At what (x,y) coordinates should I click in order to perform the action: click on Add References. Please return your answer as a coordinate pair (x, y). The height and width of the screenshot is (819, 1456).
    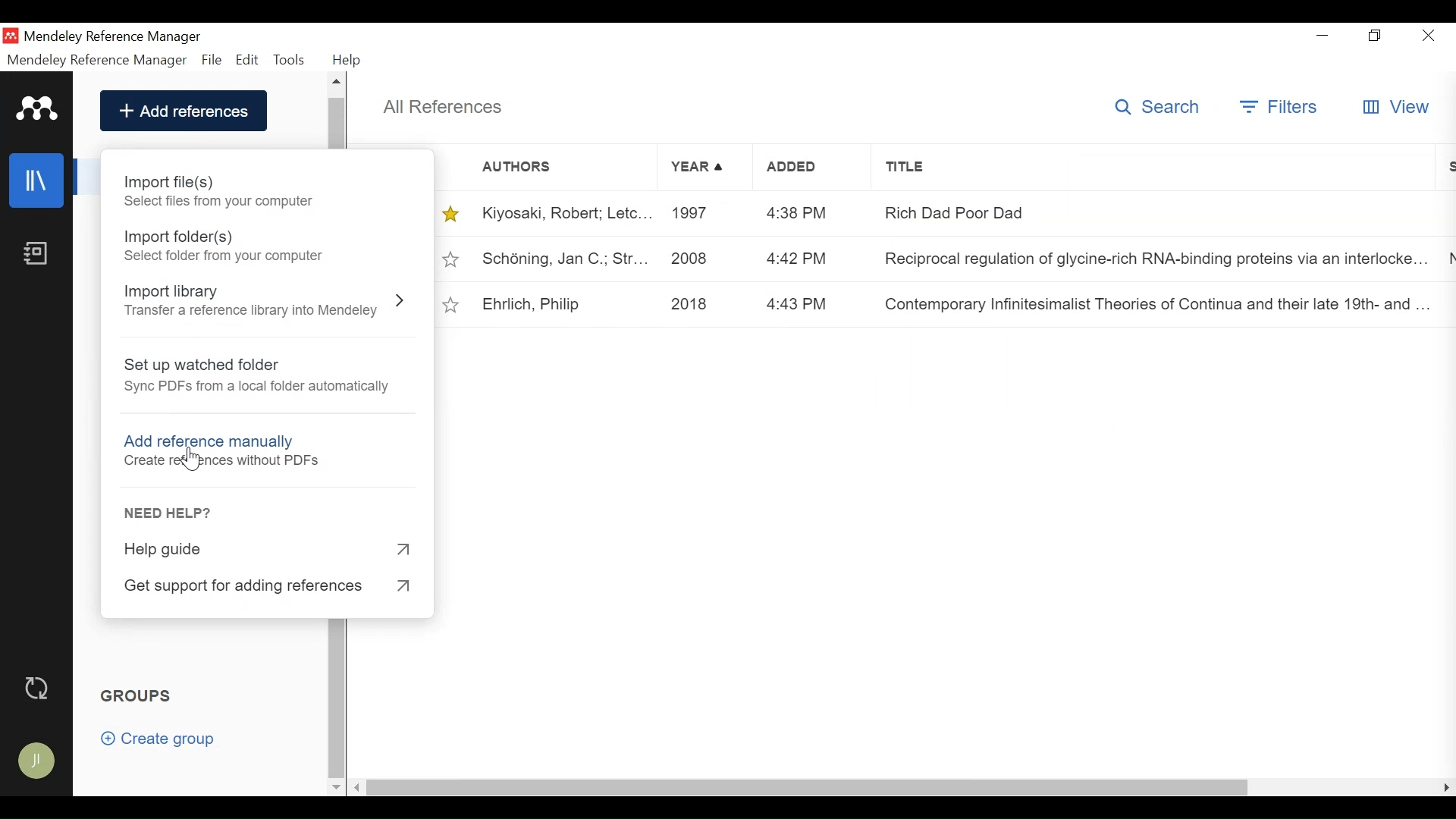
    Looking at the image, I should click on (184, 110).